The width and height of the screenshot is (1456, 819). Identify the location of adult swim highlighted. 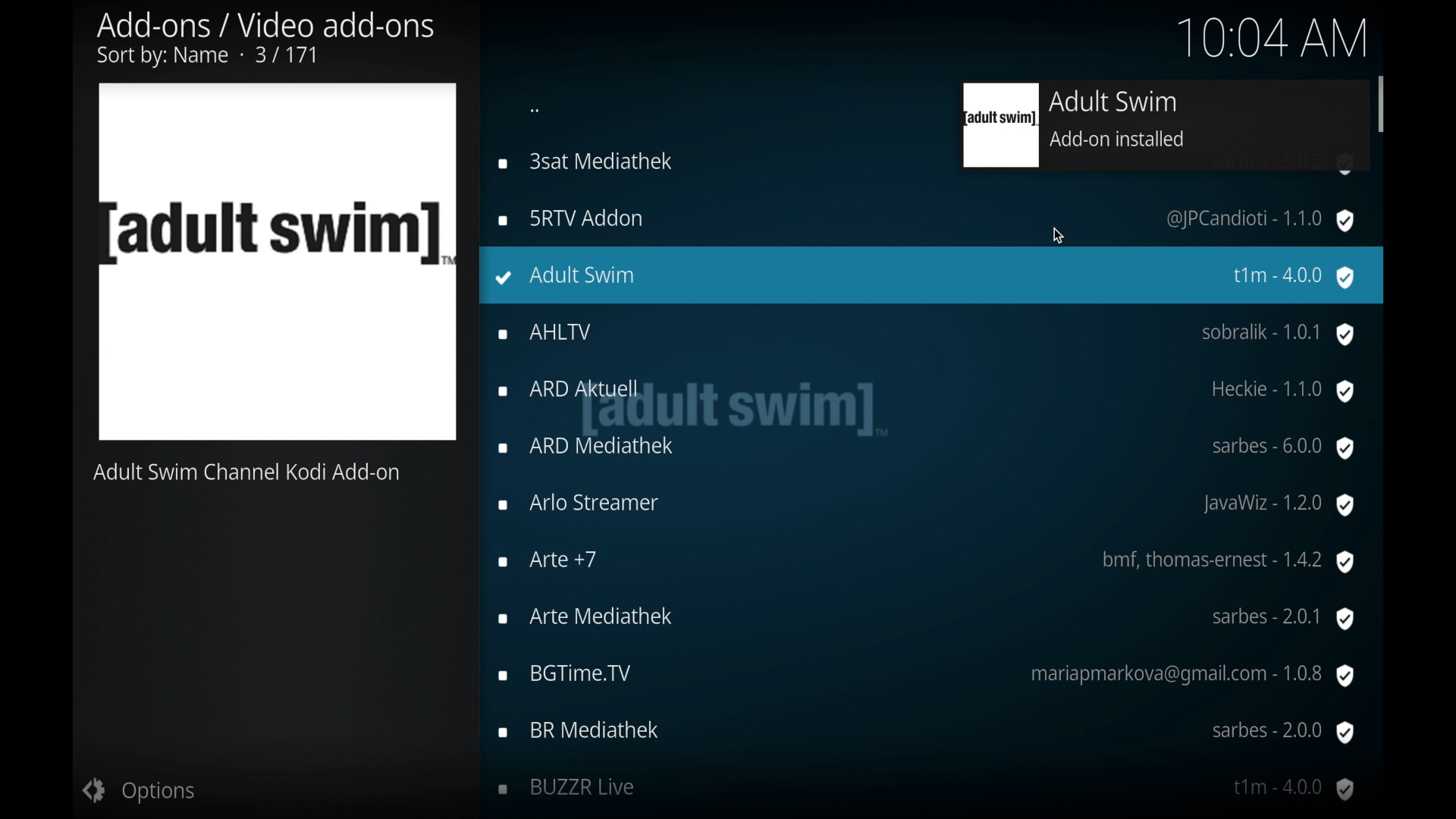
(934, 275).